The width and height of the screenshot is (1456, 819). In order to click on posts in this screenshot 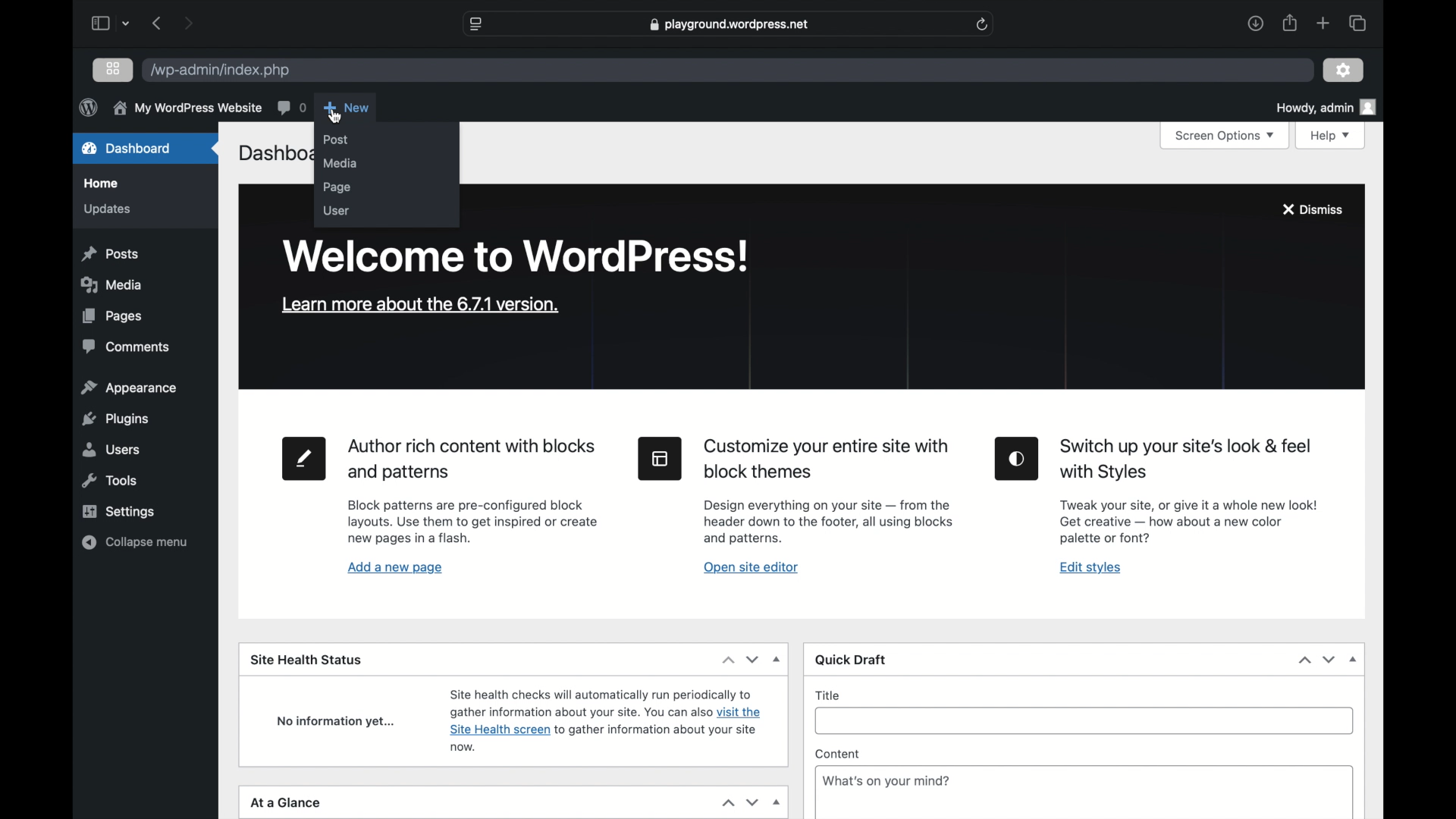, I will do `click(109, 254)`.